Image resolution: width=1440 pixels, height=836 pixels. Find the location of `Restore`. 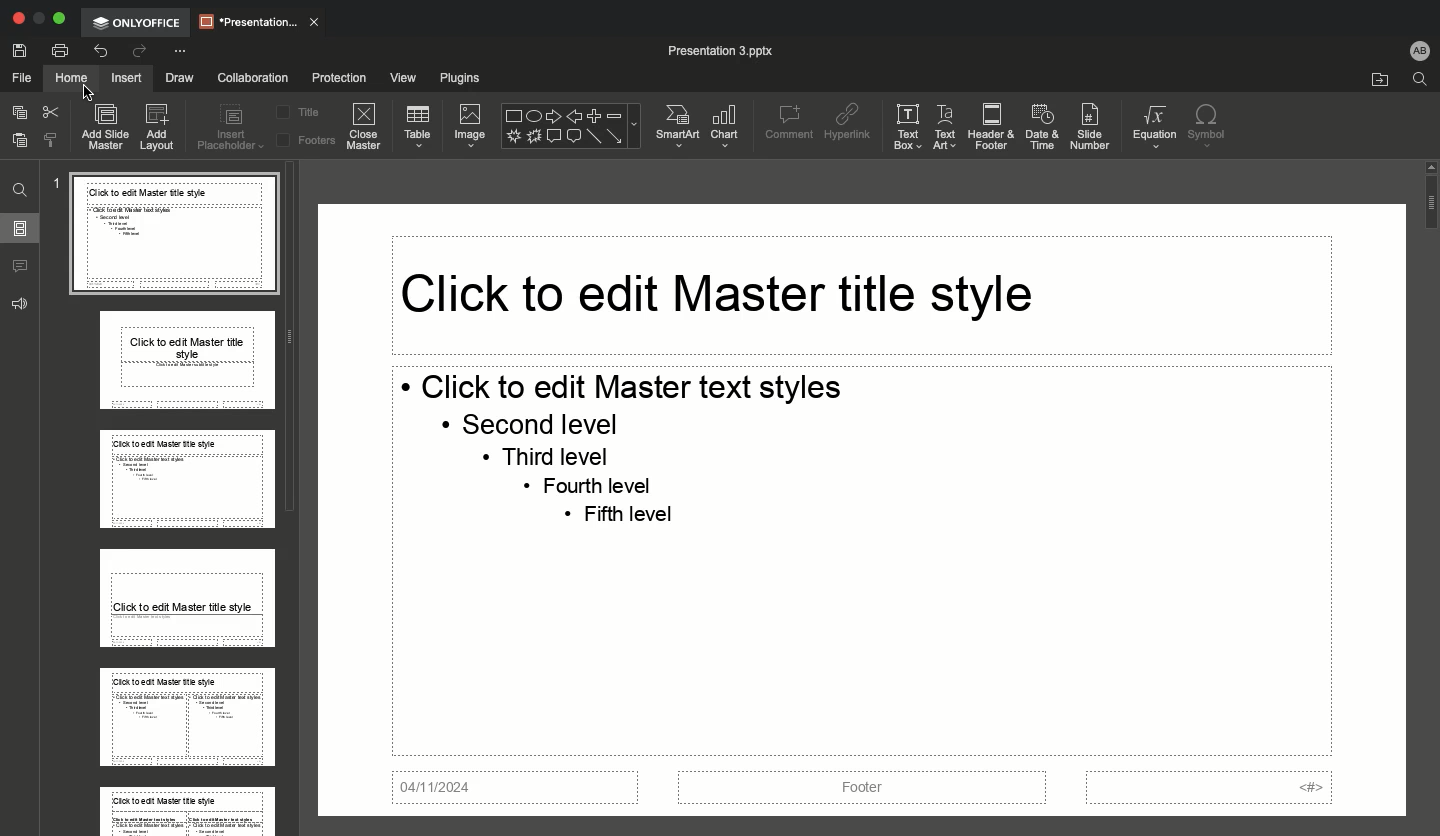

Restore is located at coordinates (38, 20).